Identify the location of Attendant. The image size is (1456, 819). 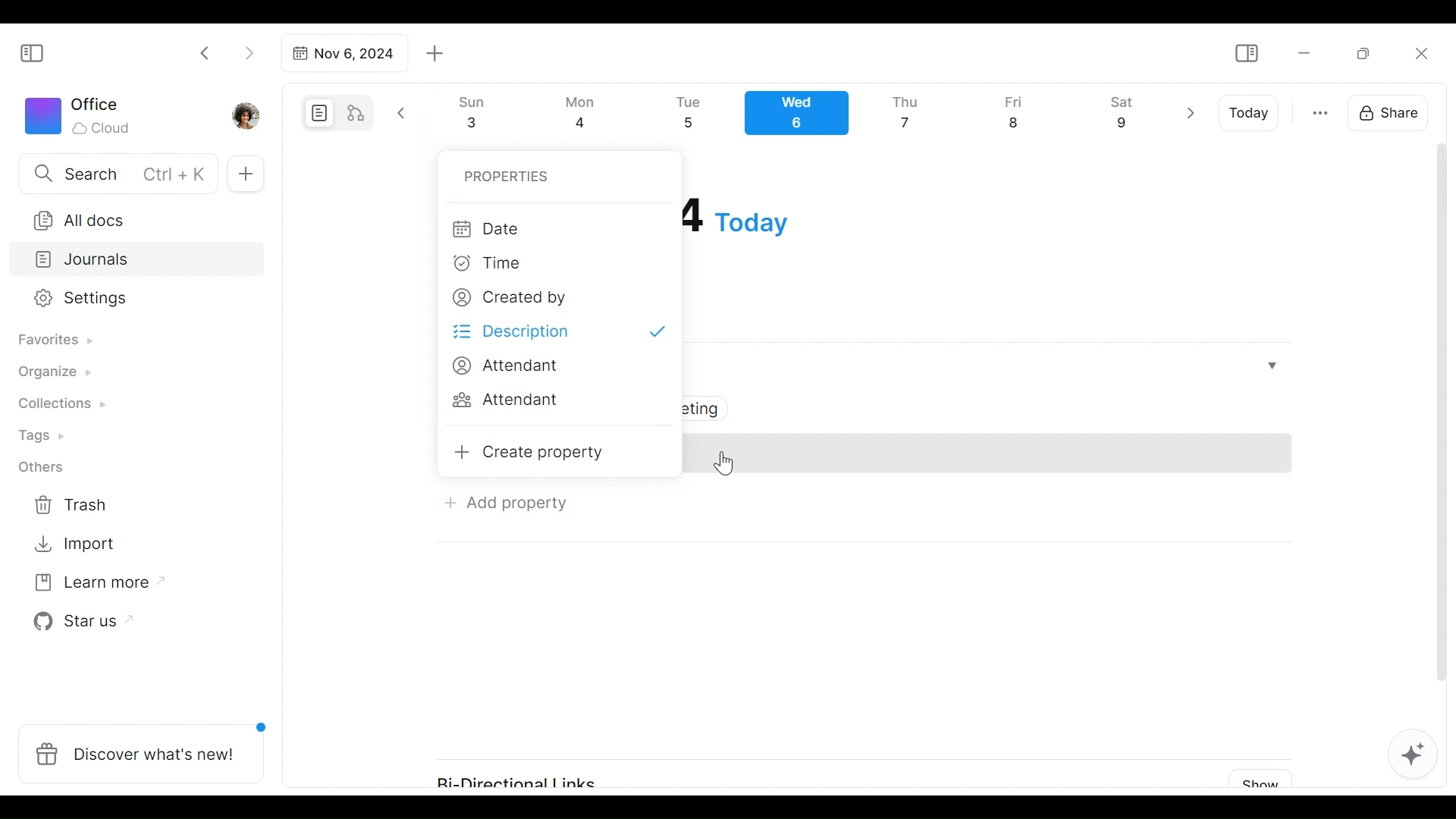
(512, 367).